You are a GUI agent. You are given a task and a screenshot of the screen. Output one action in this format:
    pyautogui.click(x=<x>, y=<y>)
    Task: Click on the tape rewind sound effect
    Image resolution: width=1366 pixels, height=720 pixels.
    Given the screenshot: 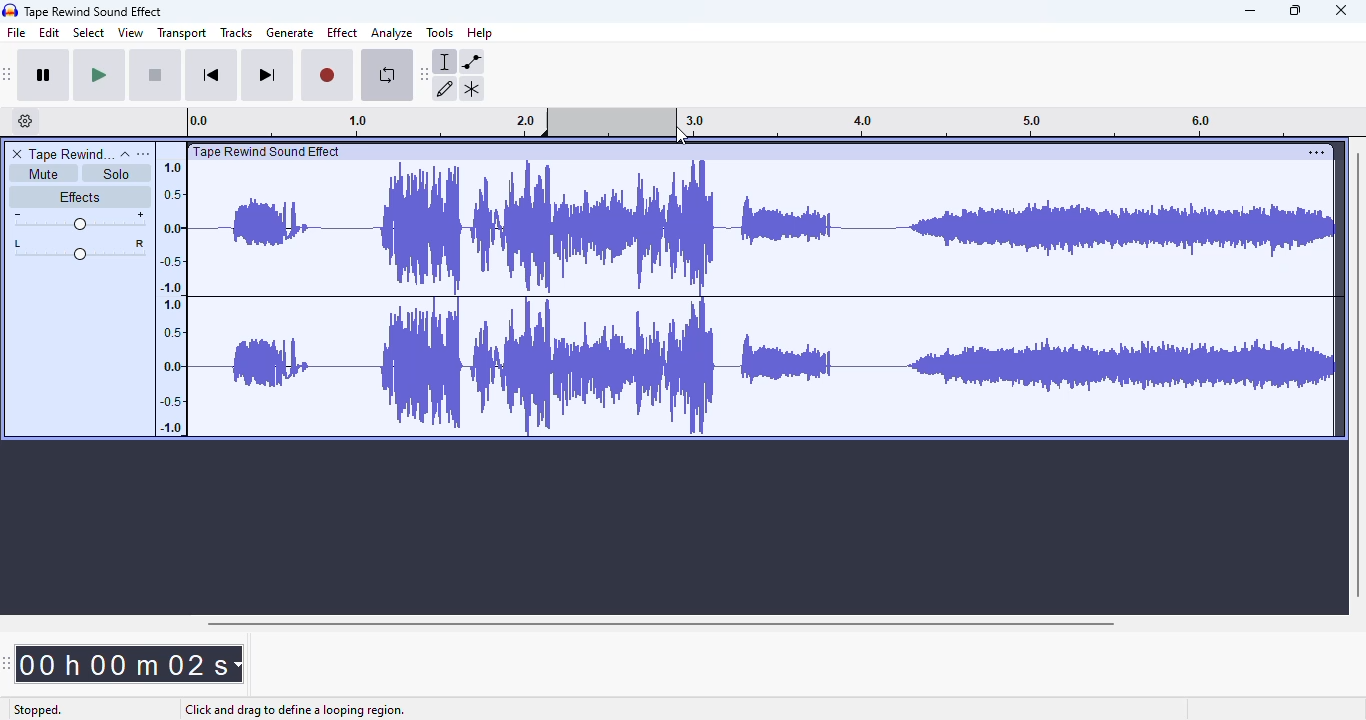 What is the action you would take?
    pyautogui.click(x=70, y=153)
    